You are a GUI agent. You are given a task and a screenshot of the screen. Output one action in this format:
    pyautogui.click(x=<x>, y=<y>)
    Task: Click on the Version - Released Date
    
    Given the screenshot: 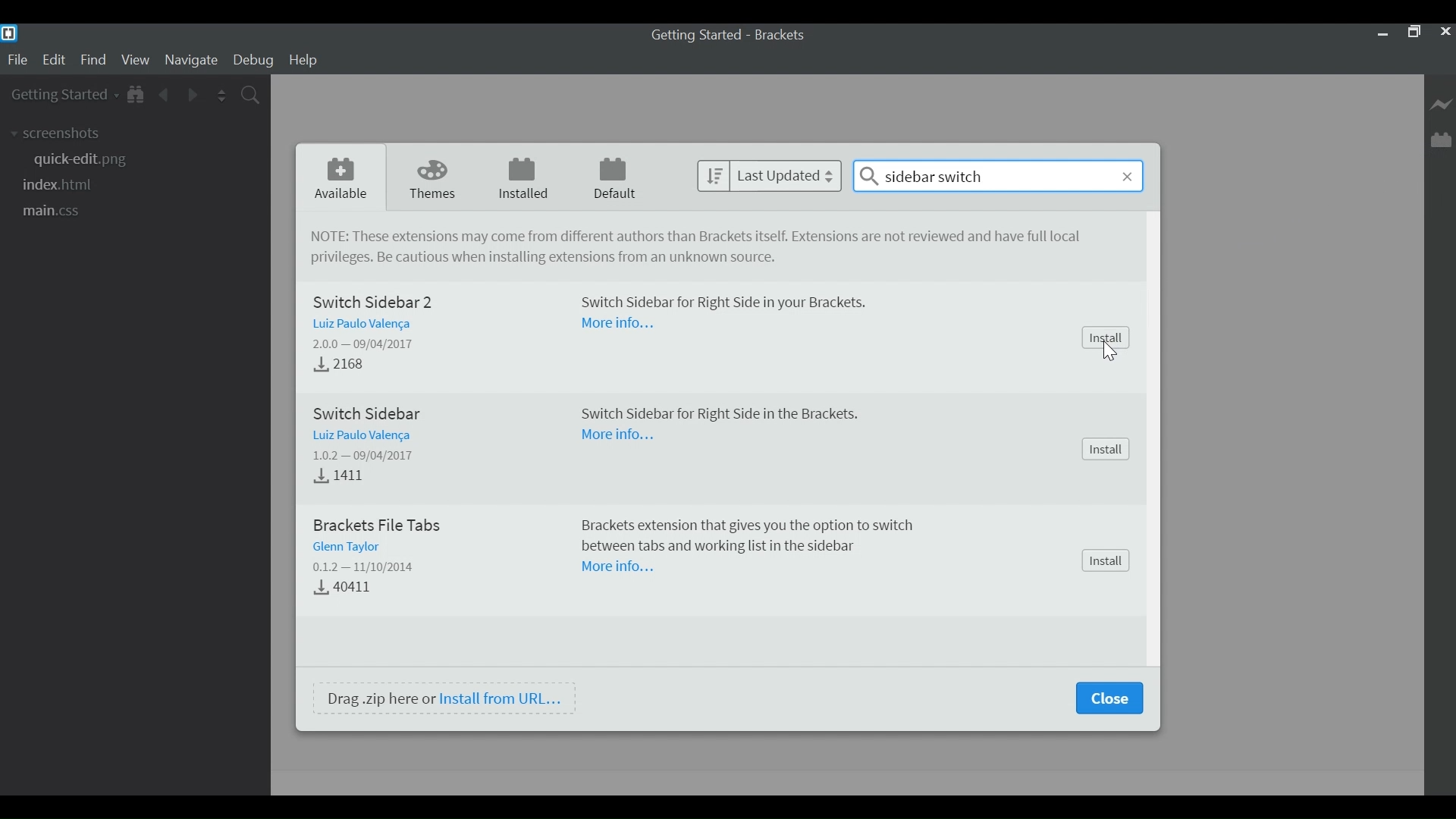 What is the action you would take?
    pyautogui.click(x=372, y=344)
    